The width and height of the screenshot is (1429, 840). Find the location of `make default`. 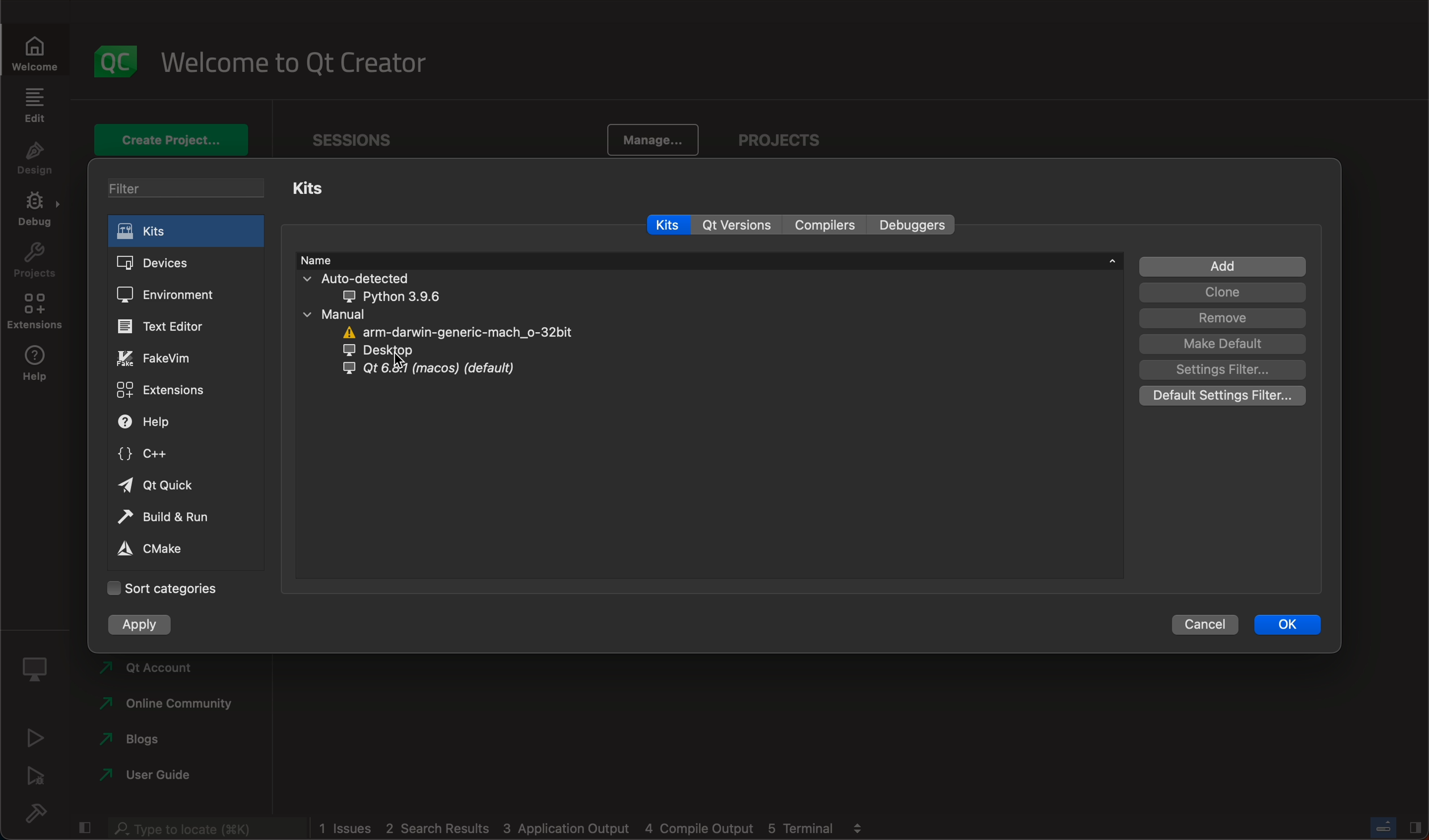

make default is located at coordinates (1219, 344).